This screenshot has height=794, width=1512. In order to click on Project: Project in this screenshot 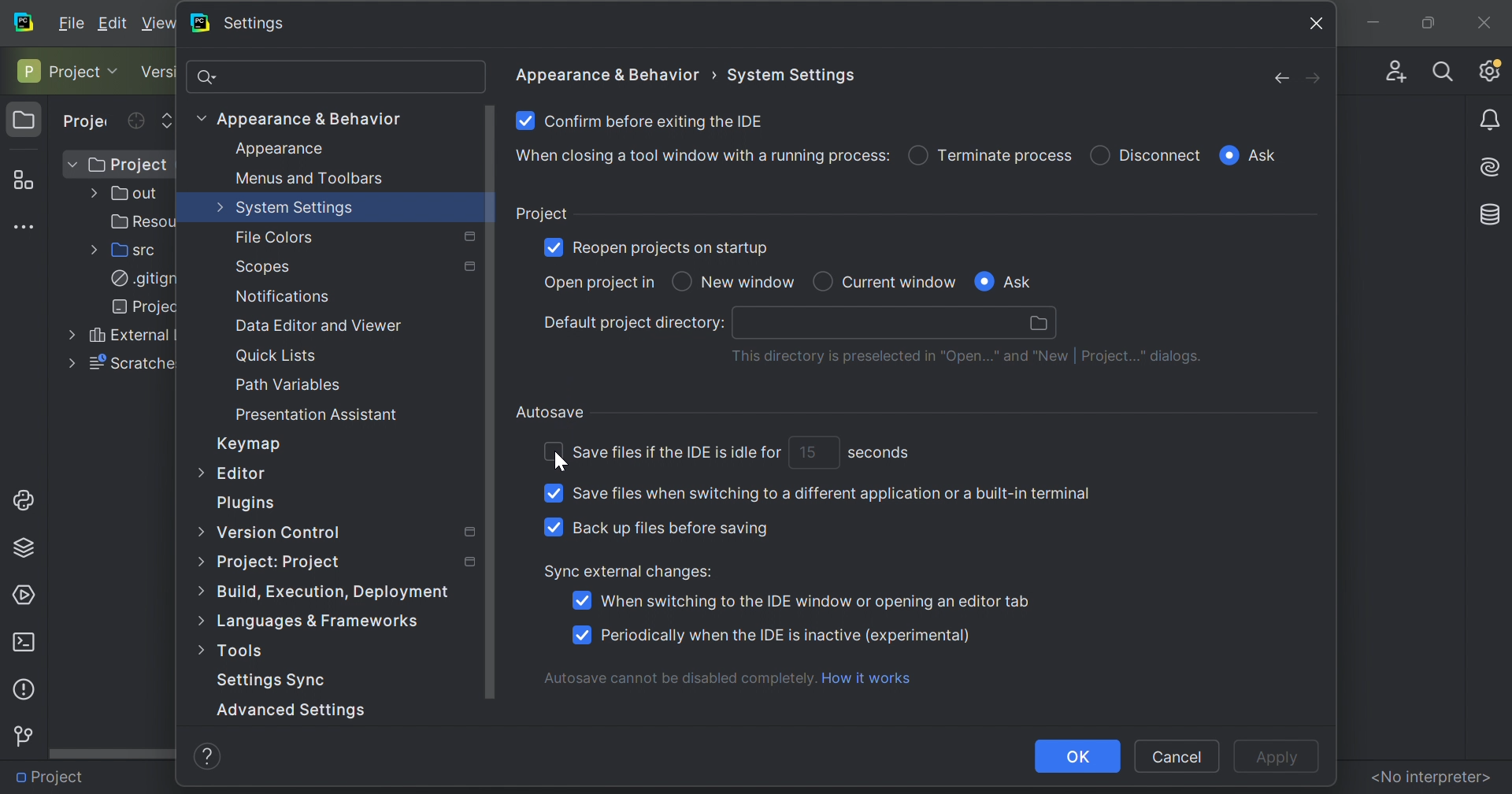, I will do `click(278, 563)`.